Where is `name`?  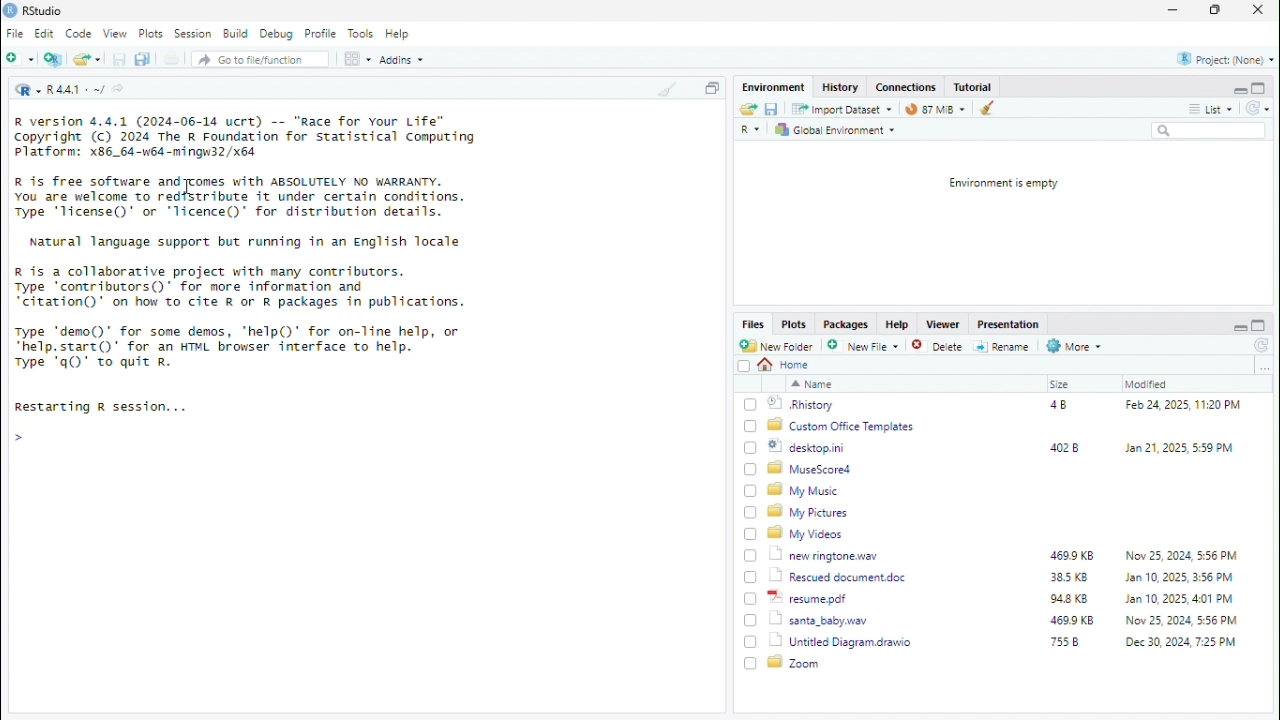
name is located at coordinates (812, 384).